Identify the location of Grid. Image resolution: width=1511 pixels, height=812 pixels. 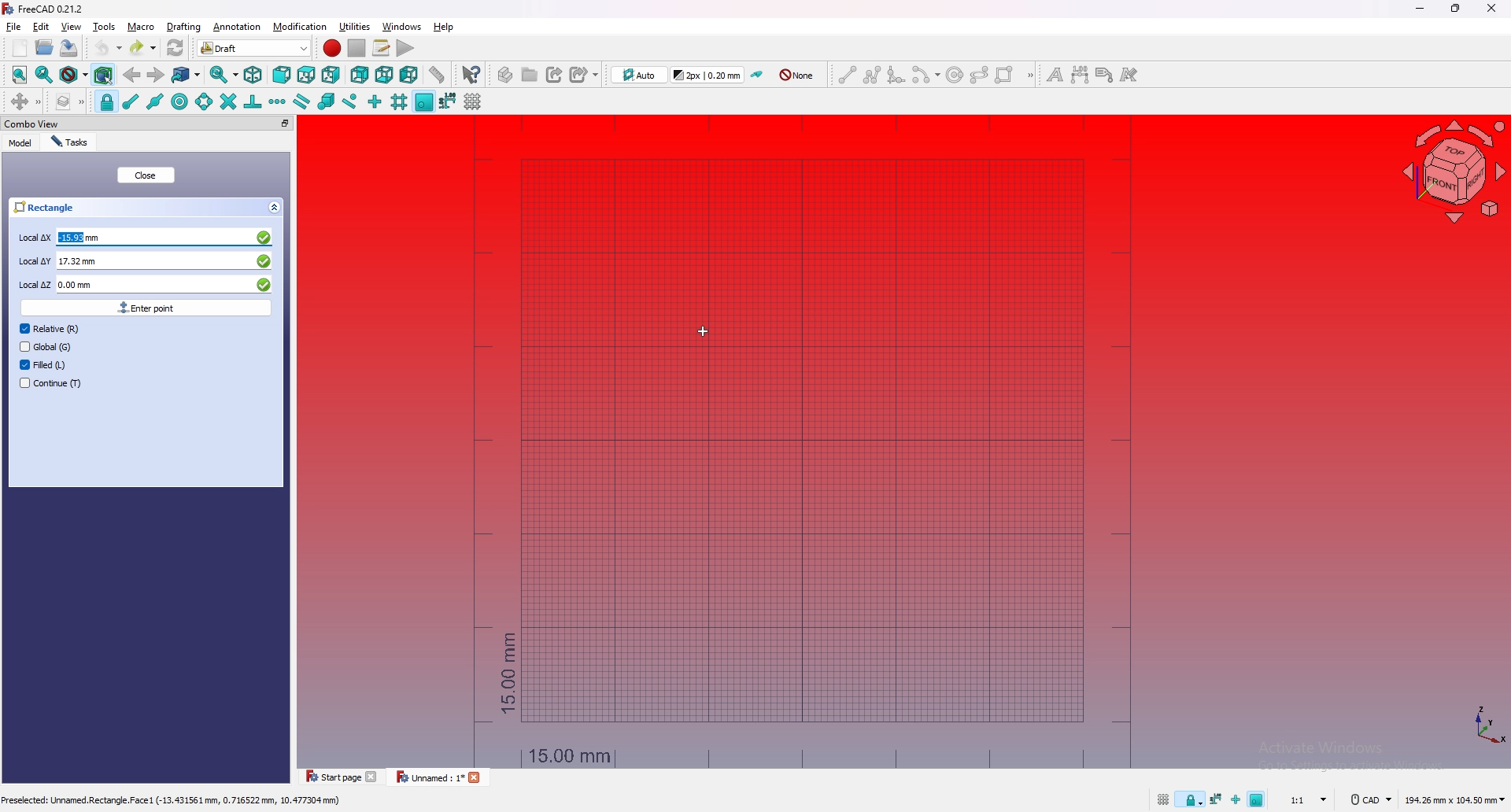
(801, 445).